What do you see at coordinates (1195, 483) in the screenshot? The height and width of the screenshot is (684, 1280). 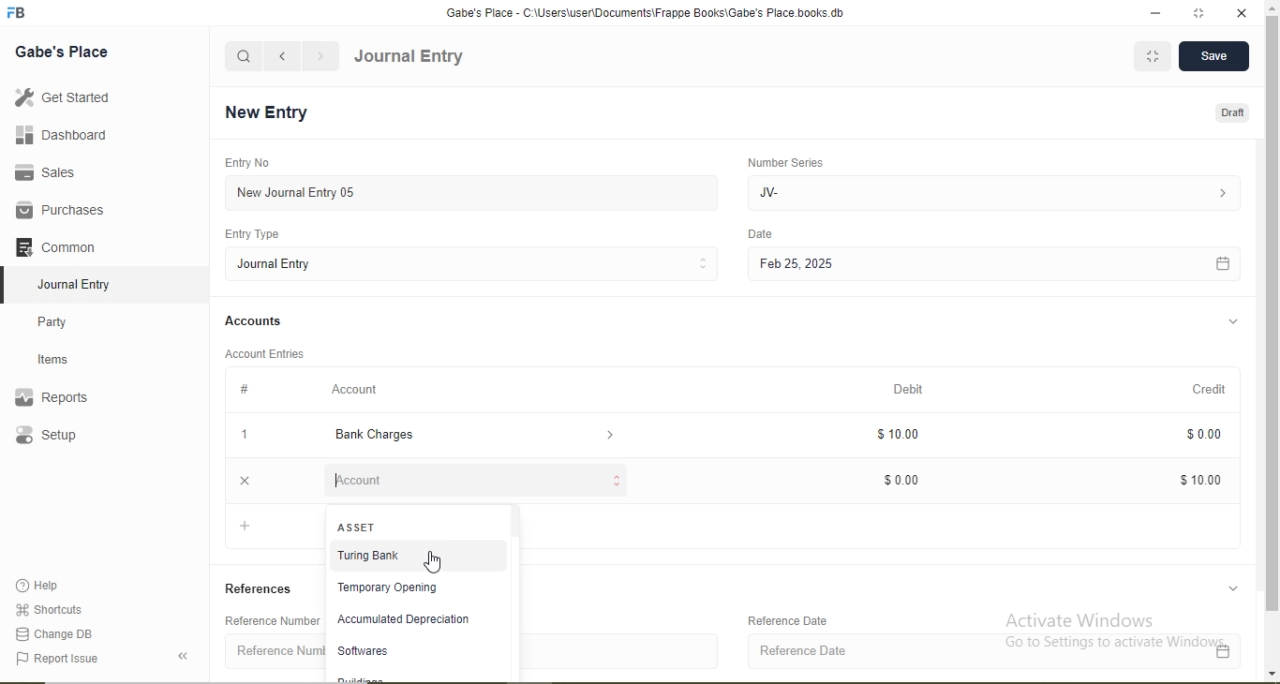 I see `$10.00` at bounding box center [1195, 483].